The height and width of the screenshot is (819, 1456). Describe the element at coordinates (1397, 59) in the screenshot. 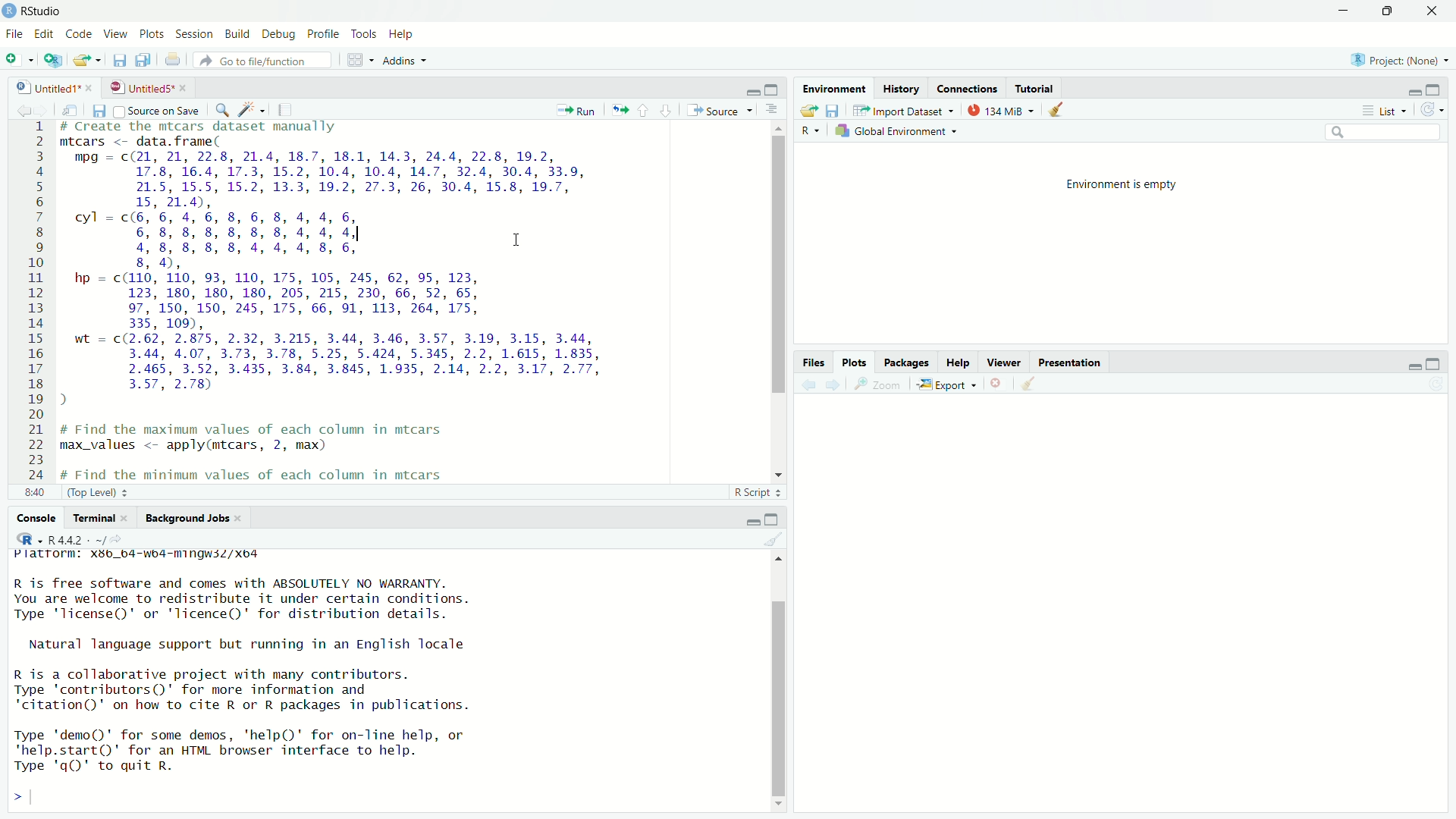

I see `| Project: (None)` at that location.